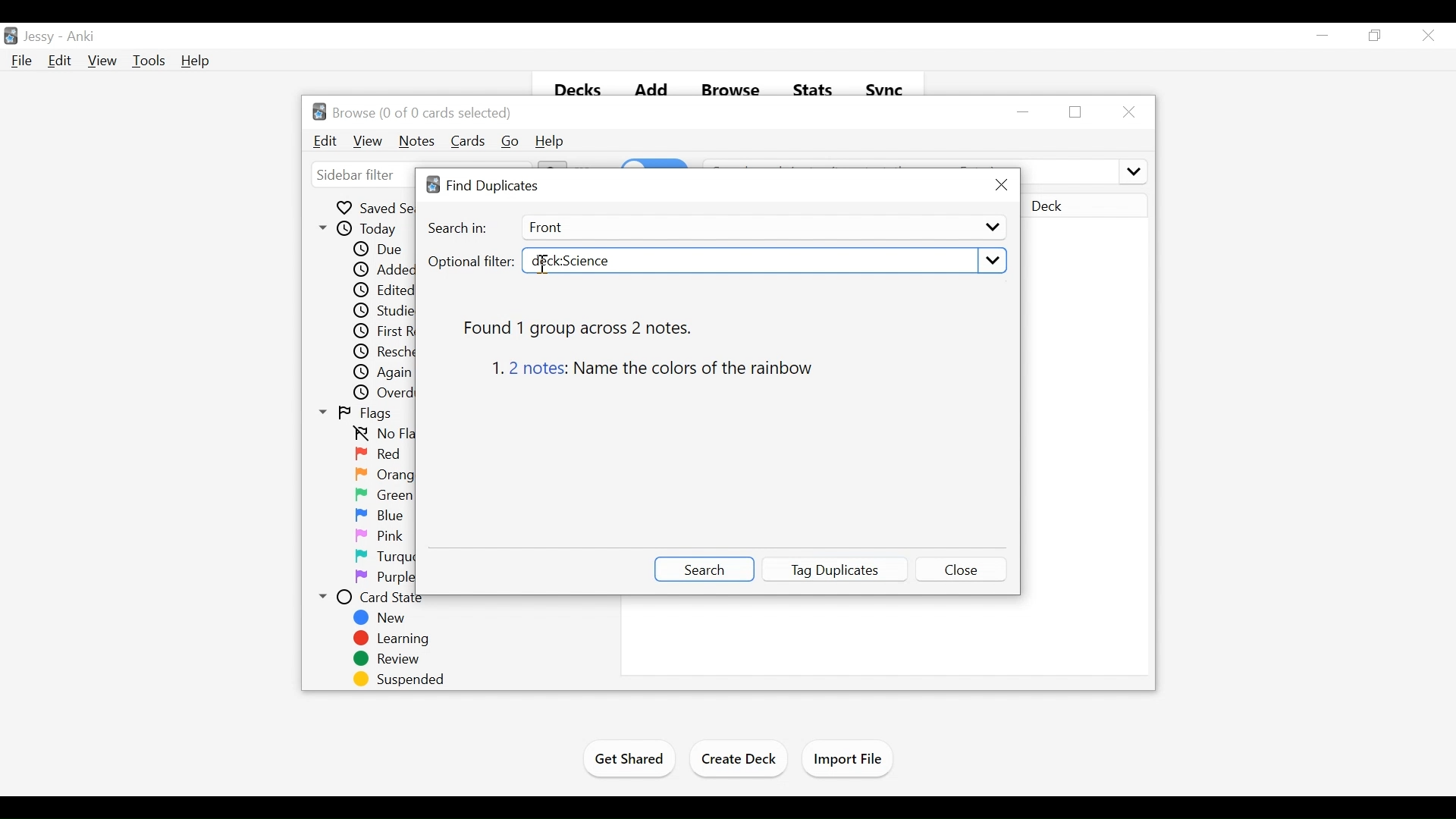 The width and height of the screenshot is (1456, 819). Describe the element at coordinates (380, 516) in the screenshot. I see `Blue` at that location.